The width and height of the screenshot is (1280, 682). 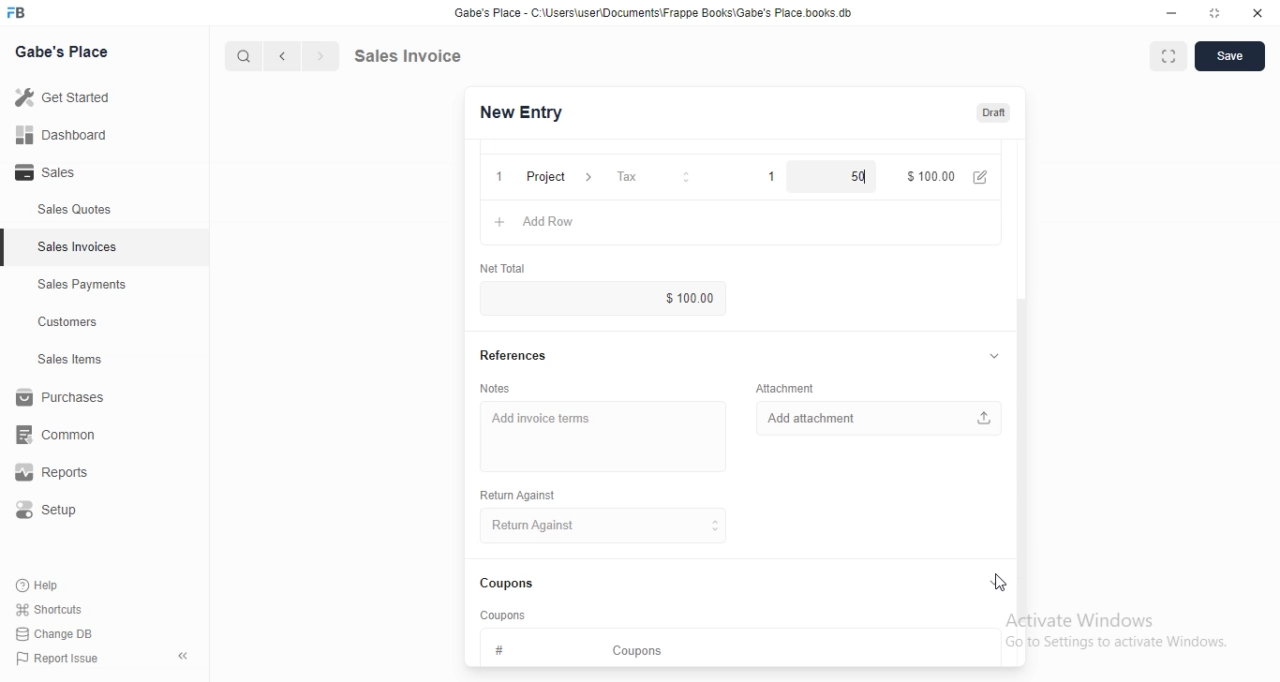 I want to click on $100.00, so click(x=930, y=175).